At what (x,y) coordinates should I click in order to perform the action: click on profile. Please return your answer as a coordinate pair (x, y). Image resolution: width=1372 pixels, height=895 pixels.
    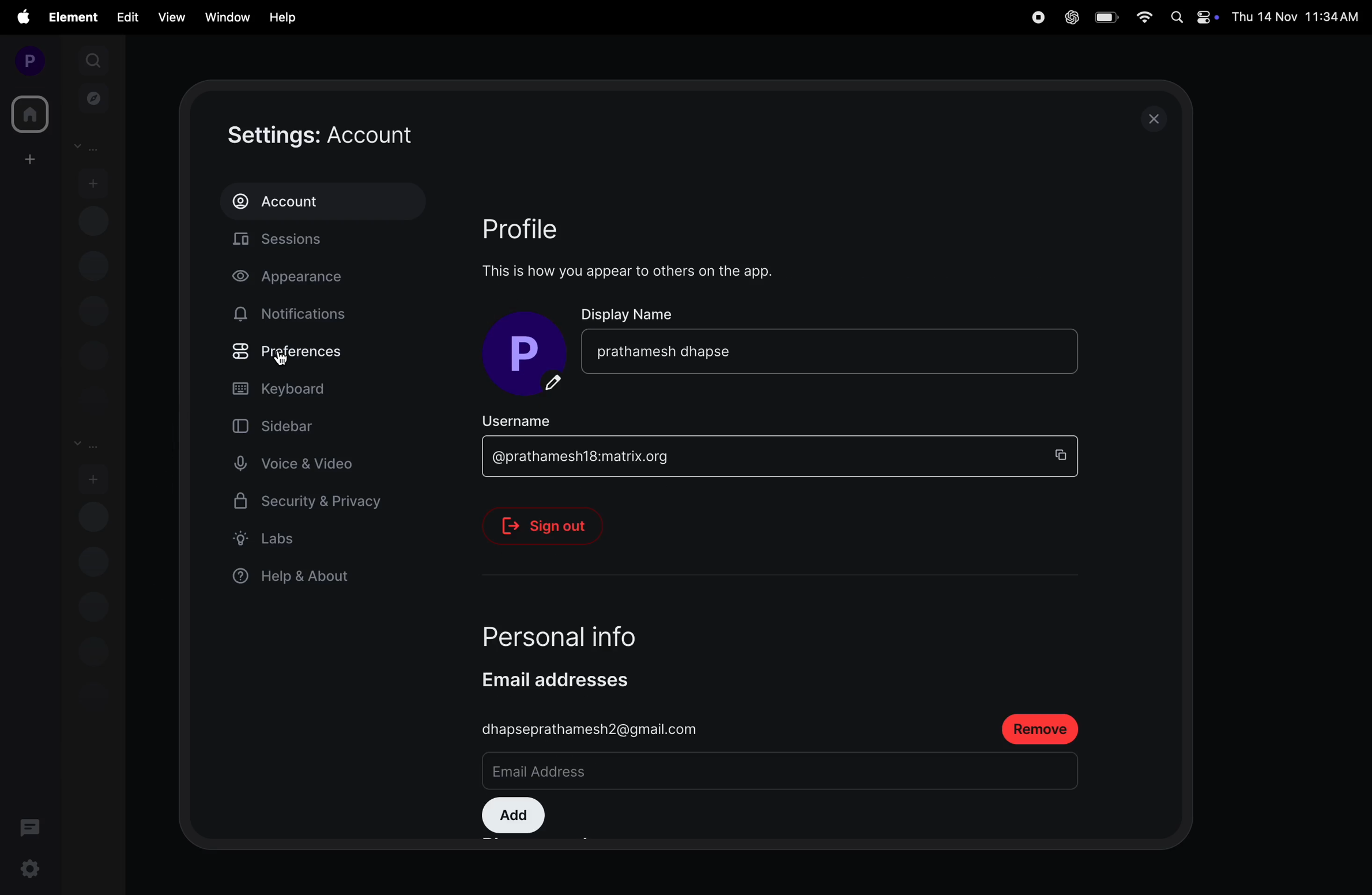
    Looking at the image, I should click on (524, 226).